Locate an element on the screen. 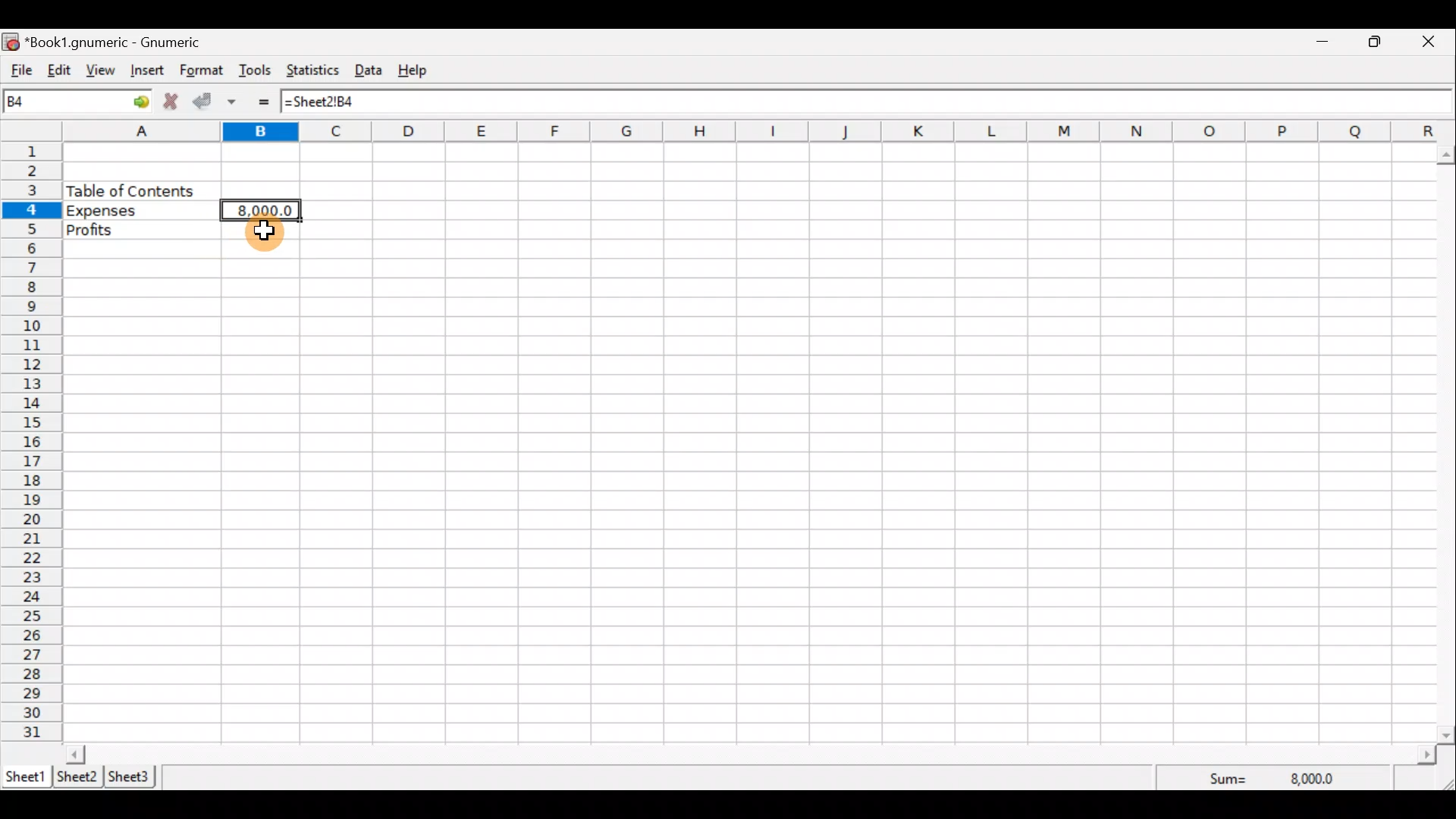 The image size is (1456, 819). Maximize/Minimize is located at coordinates (1379, 42).